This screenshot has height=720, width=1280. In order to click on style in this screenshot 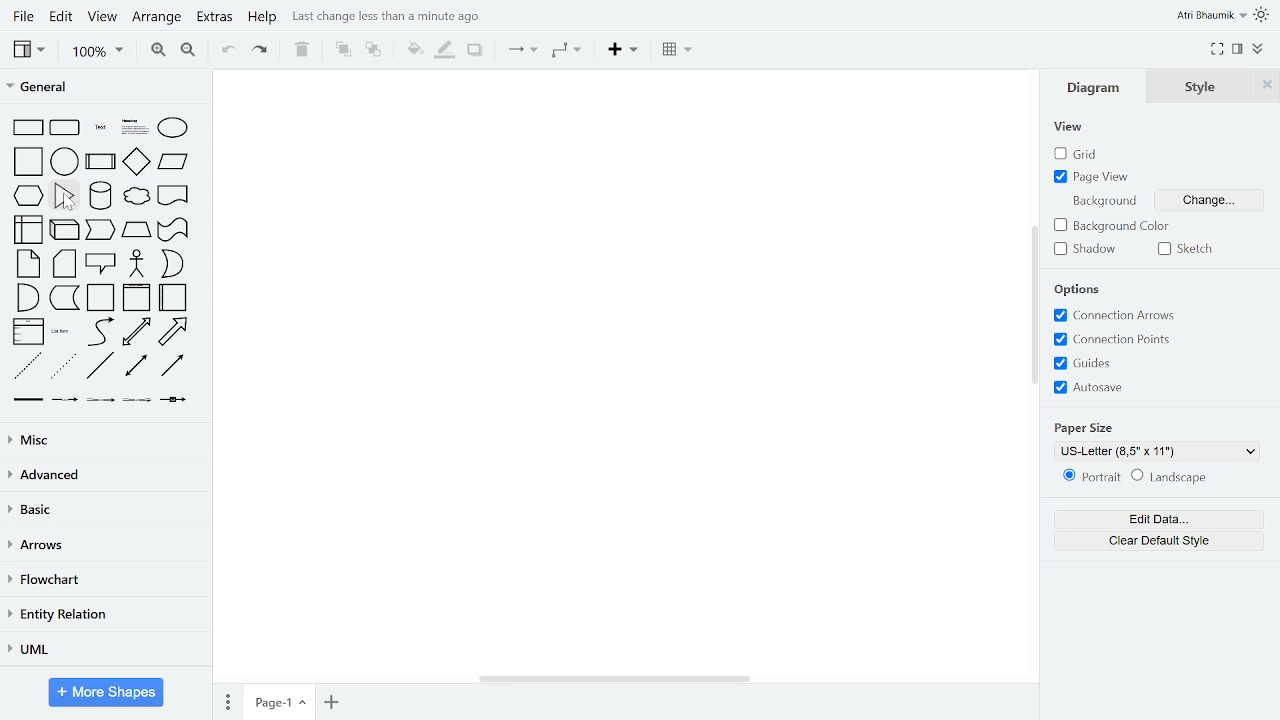, I will do `click(1204, 87)`.